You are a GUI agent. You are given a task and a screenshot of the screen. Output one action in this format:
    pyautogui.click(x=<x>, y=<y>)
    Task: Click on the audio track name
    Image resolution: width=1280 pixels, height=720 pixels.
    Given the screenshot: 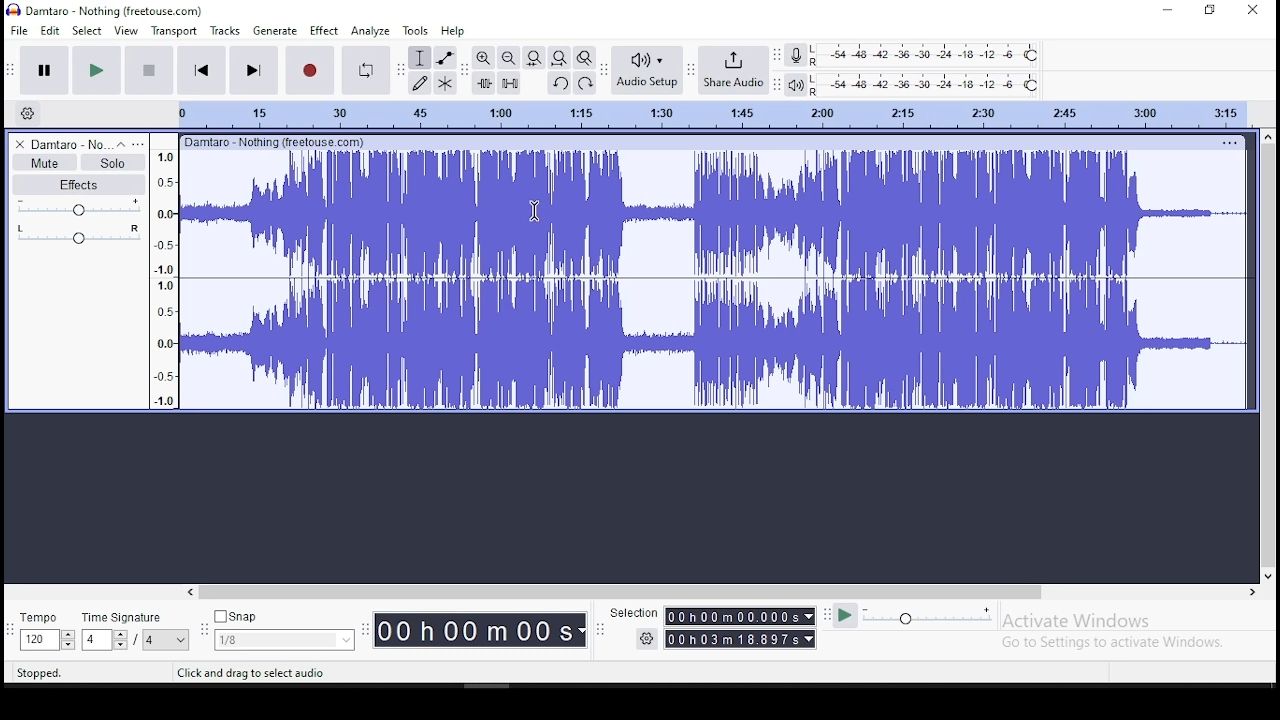 What is the action you would take?
    pyautogui.click(x=66, y=143)
    